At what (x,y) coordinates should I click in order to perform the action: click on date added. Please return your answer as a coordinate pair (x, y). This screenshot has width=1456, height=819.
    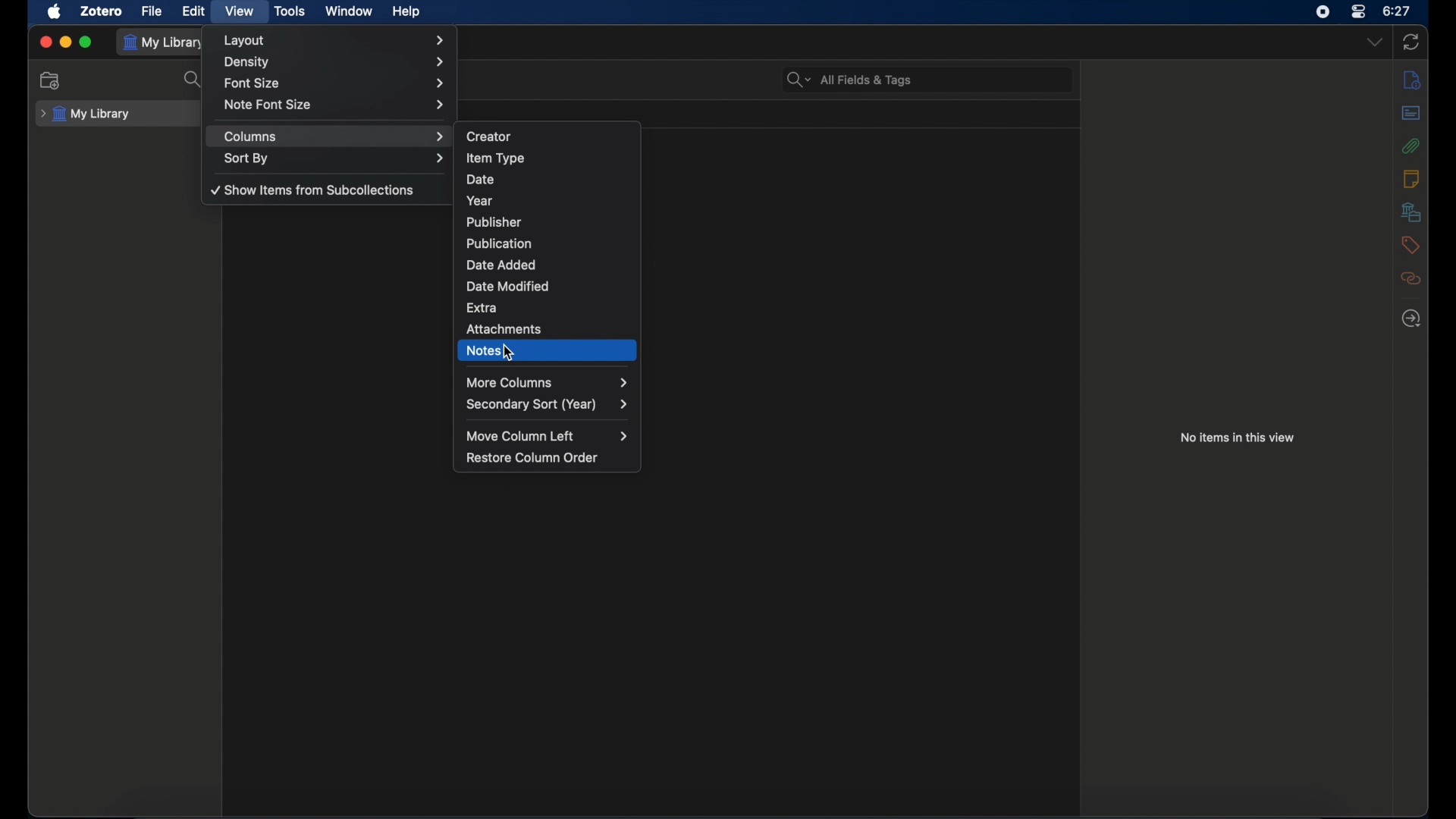
    Looking at the image, I should click on (501, 265).